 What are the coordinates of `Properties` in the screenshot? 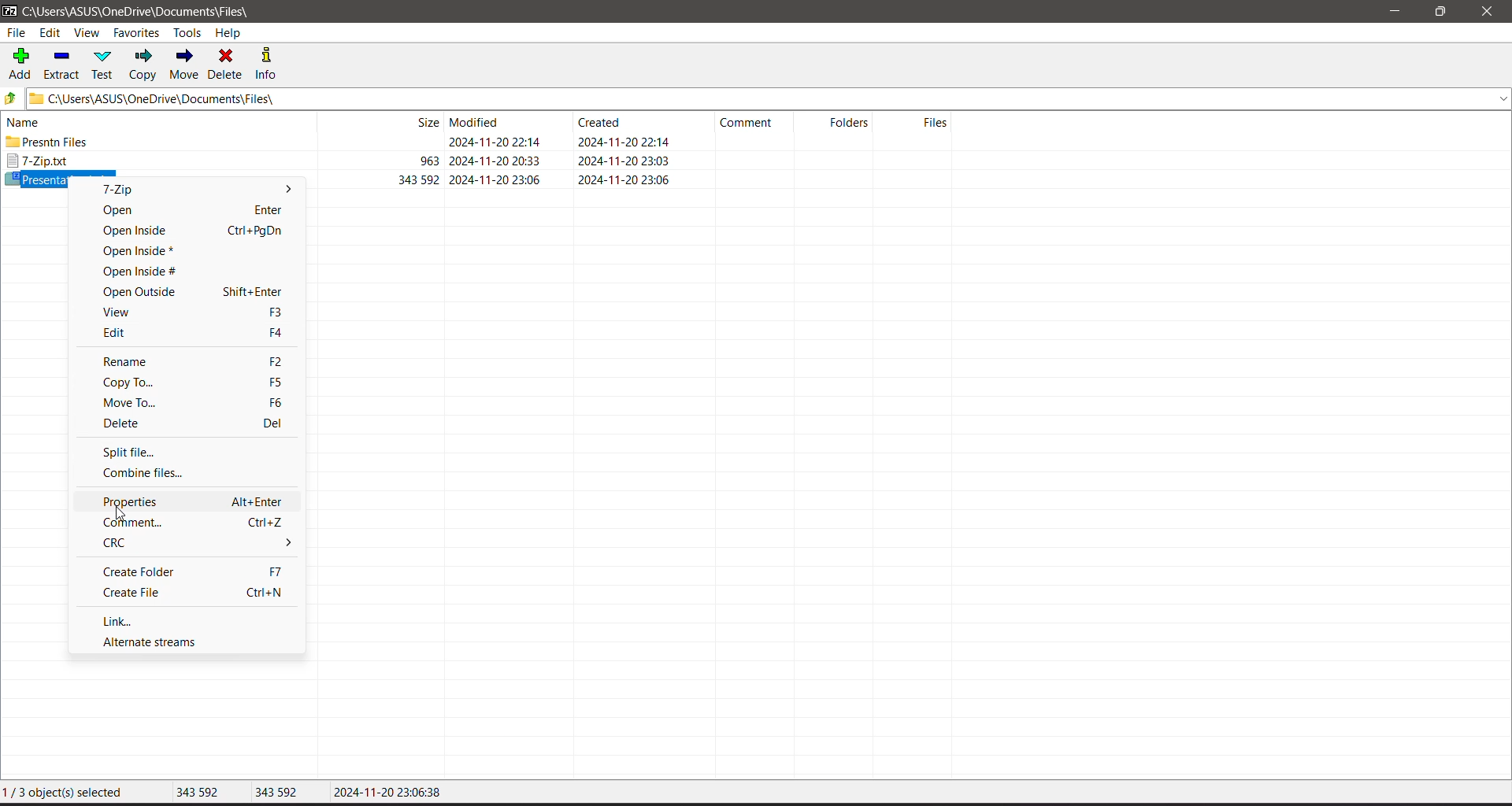 It's located at (190, 501).